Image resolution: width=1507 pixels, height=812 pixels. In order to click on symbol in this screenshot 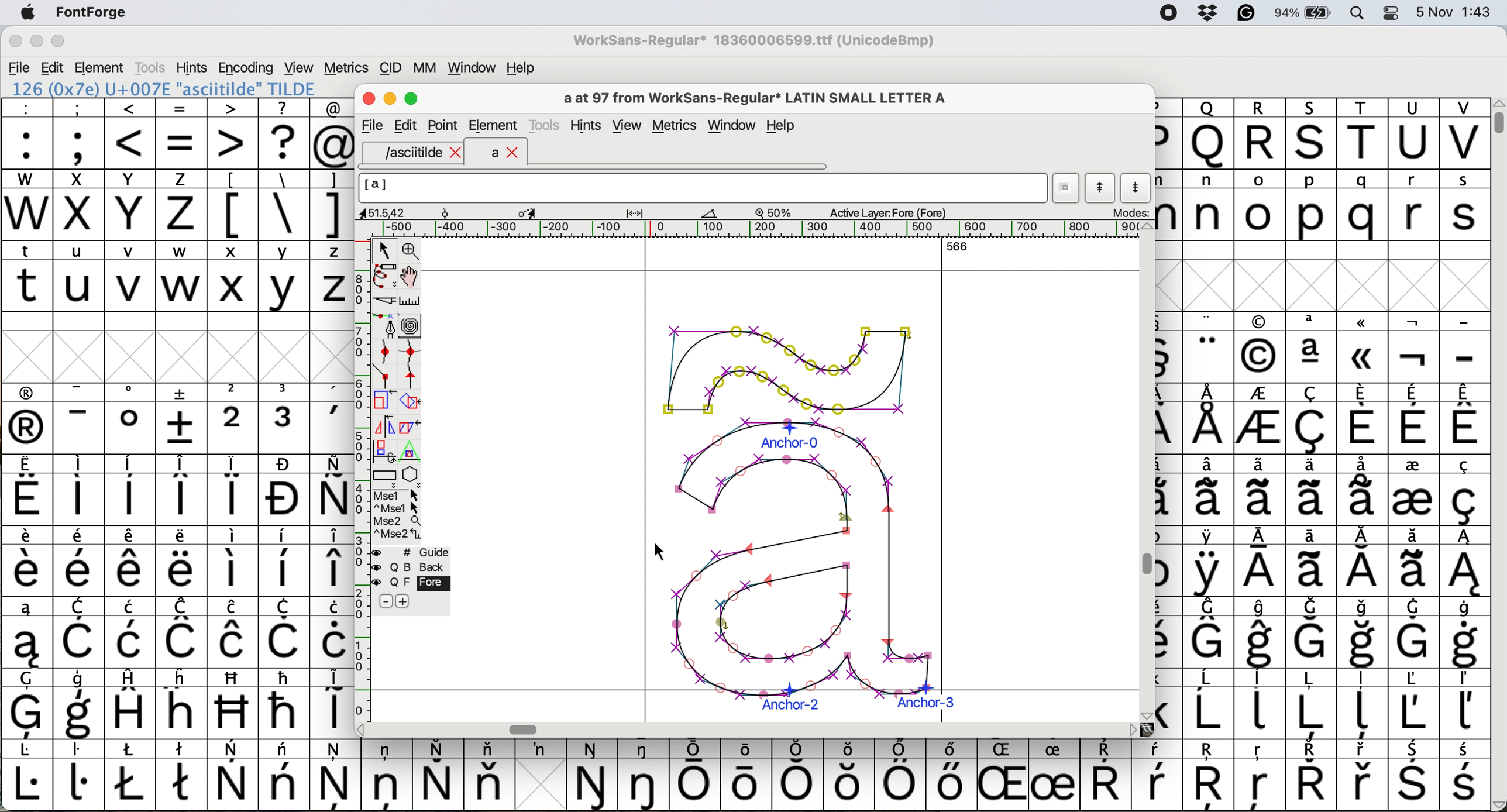, I will do `click(133, 632)`.